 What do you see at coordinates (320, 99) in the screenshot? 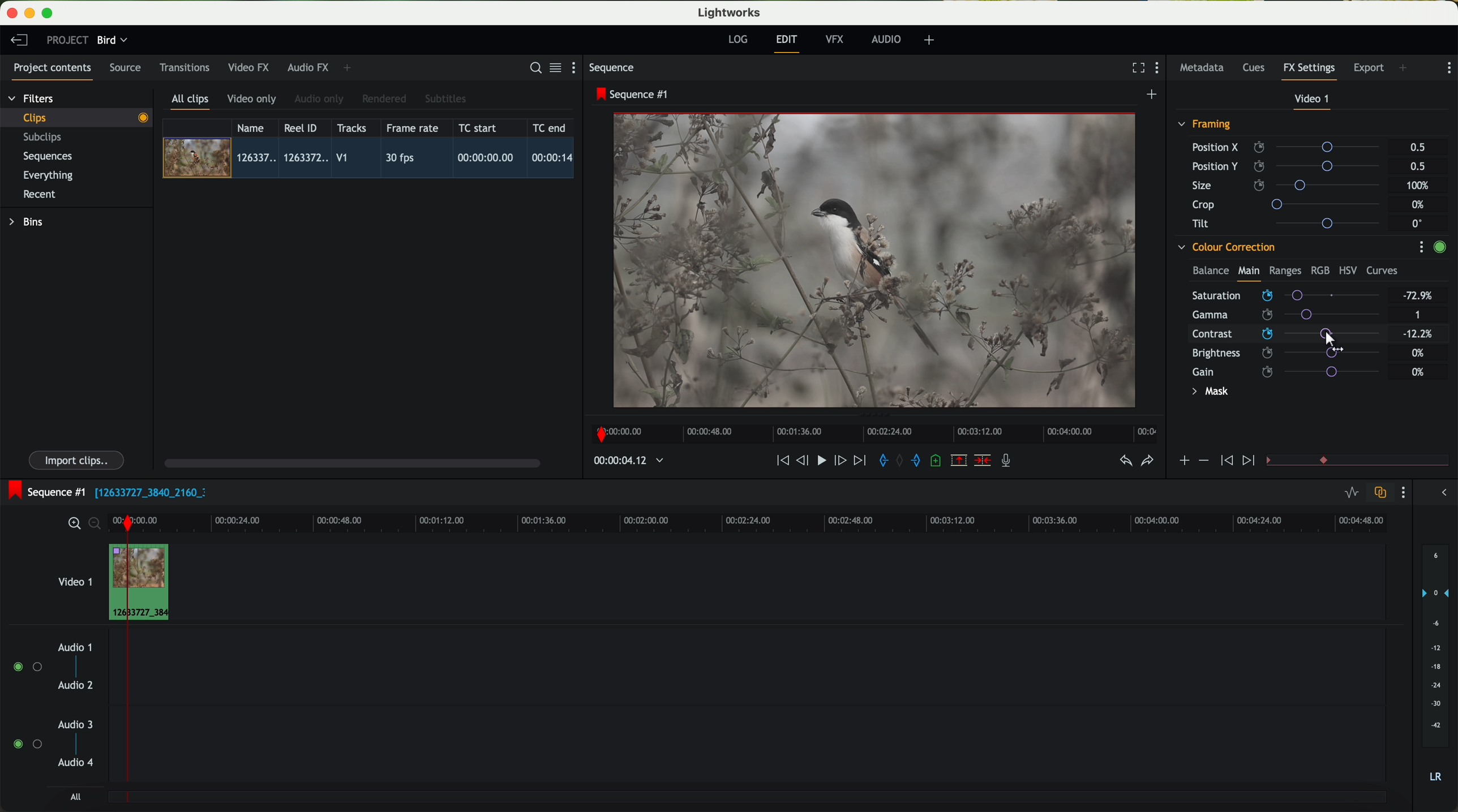
I see `audio only` at bounding box center [320, 99].